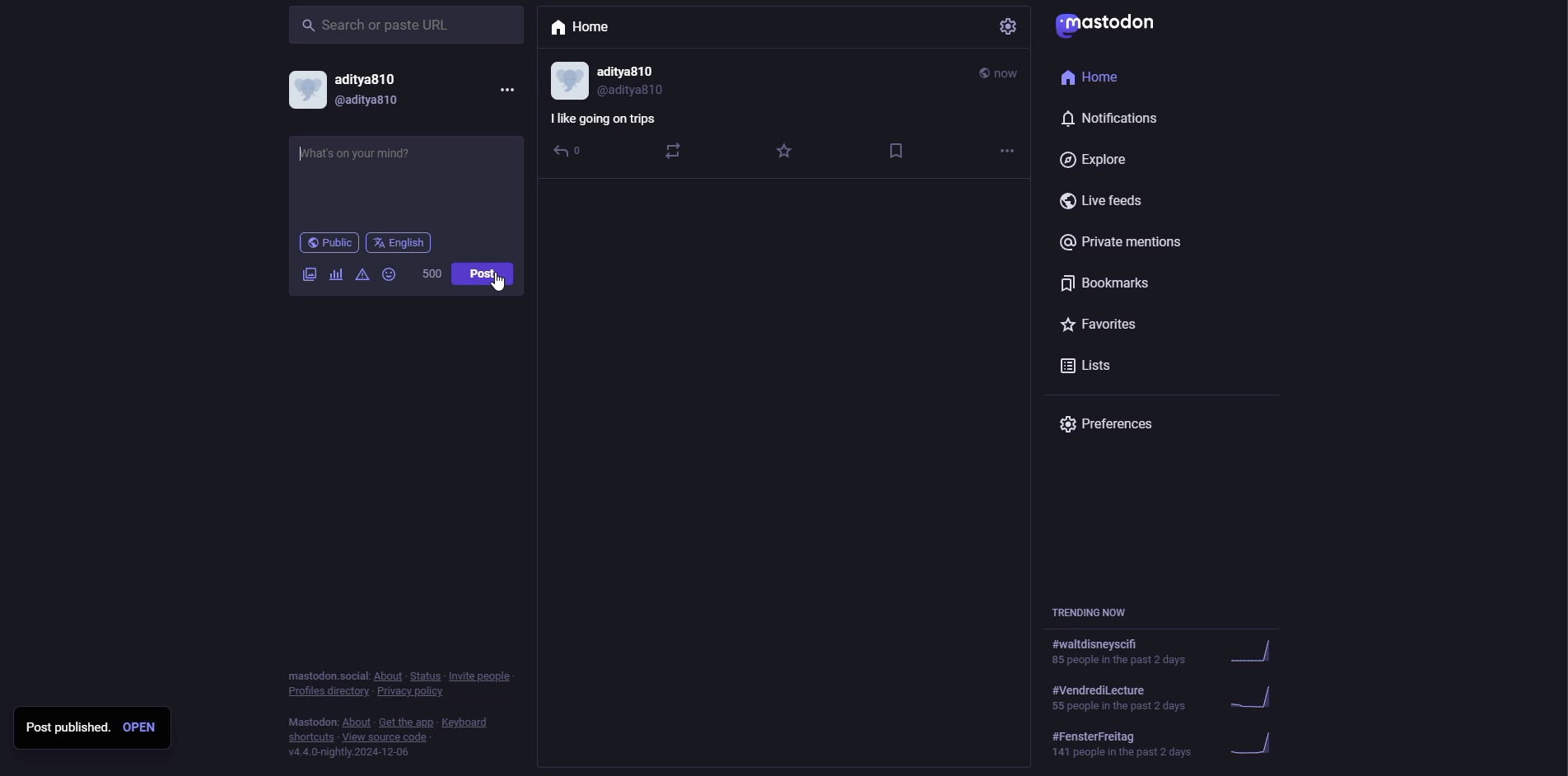 The image size is (1568, 776). I want to click on search, so click(380, 26).